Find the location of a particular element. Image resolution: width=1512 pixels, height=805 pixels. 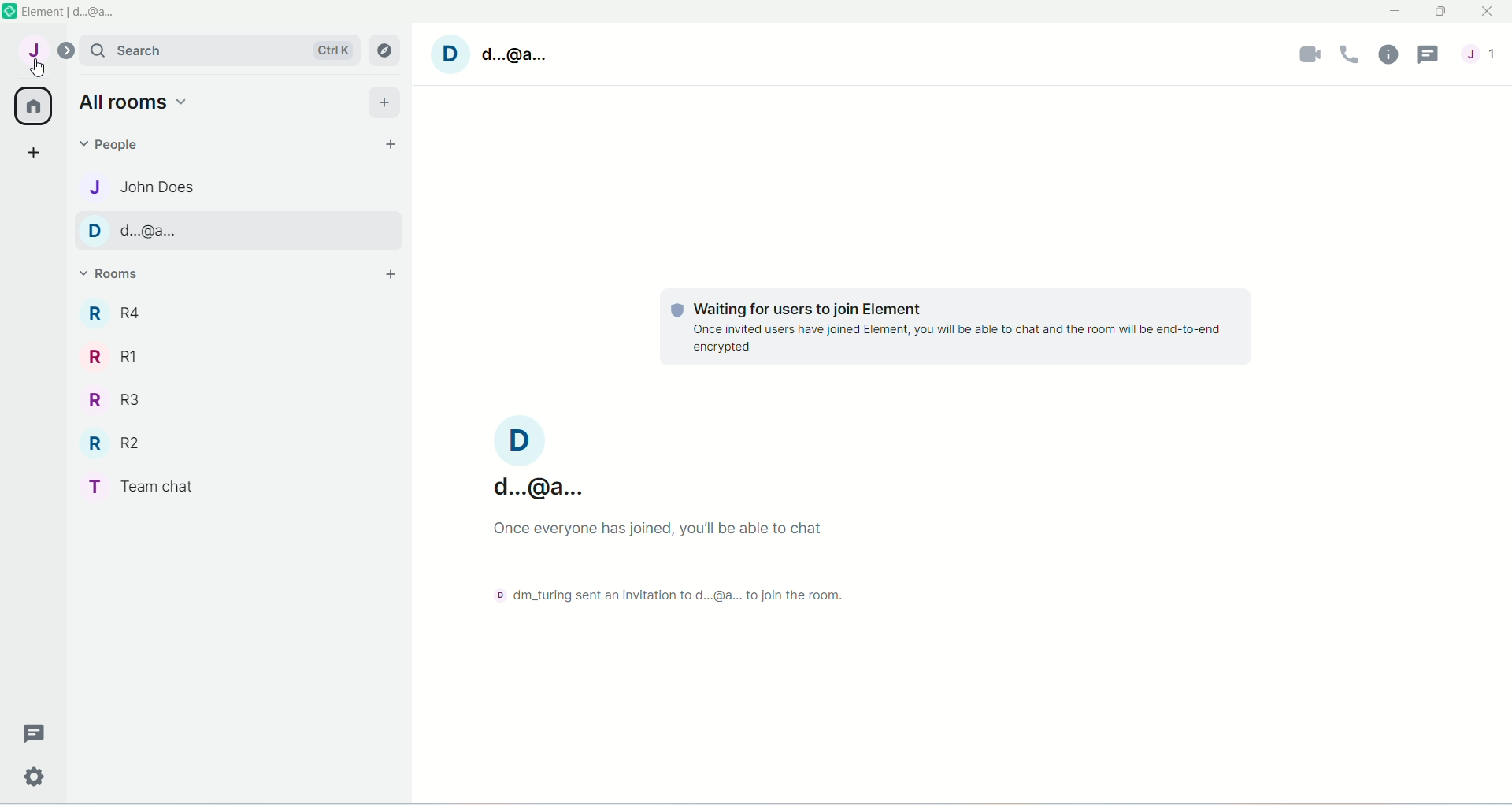

Room R2 is located at coordinates (114, 440).